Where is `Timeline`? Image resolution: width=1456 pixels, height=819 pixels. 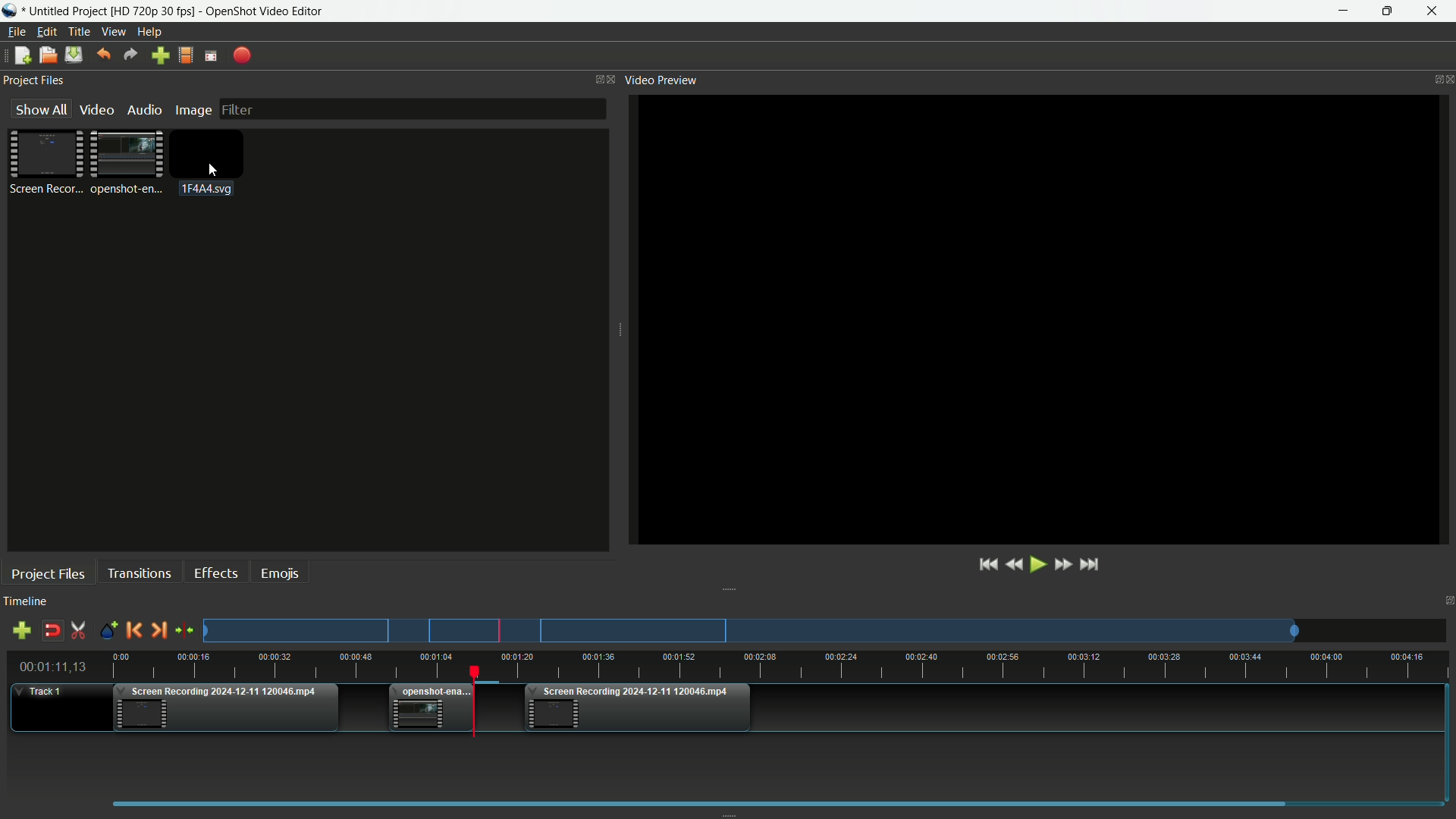 Timeline is located at coordinates (25, 602).